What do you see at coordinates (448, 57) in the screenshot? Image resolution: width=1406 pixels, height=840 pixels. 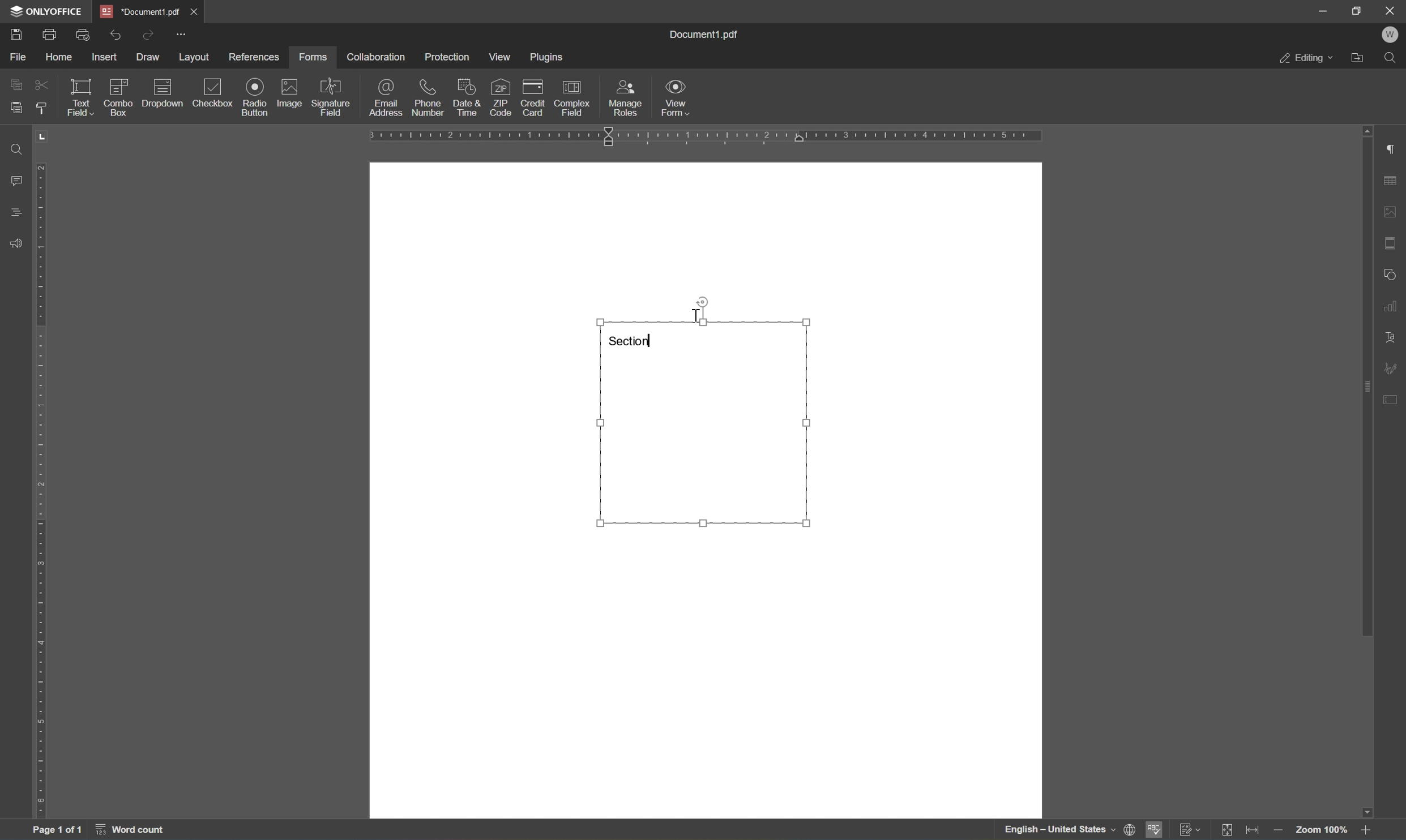 I see `protection` at bounding box center [448, 57].